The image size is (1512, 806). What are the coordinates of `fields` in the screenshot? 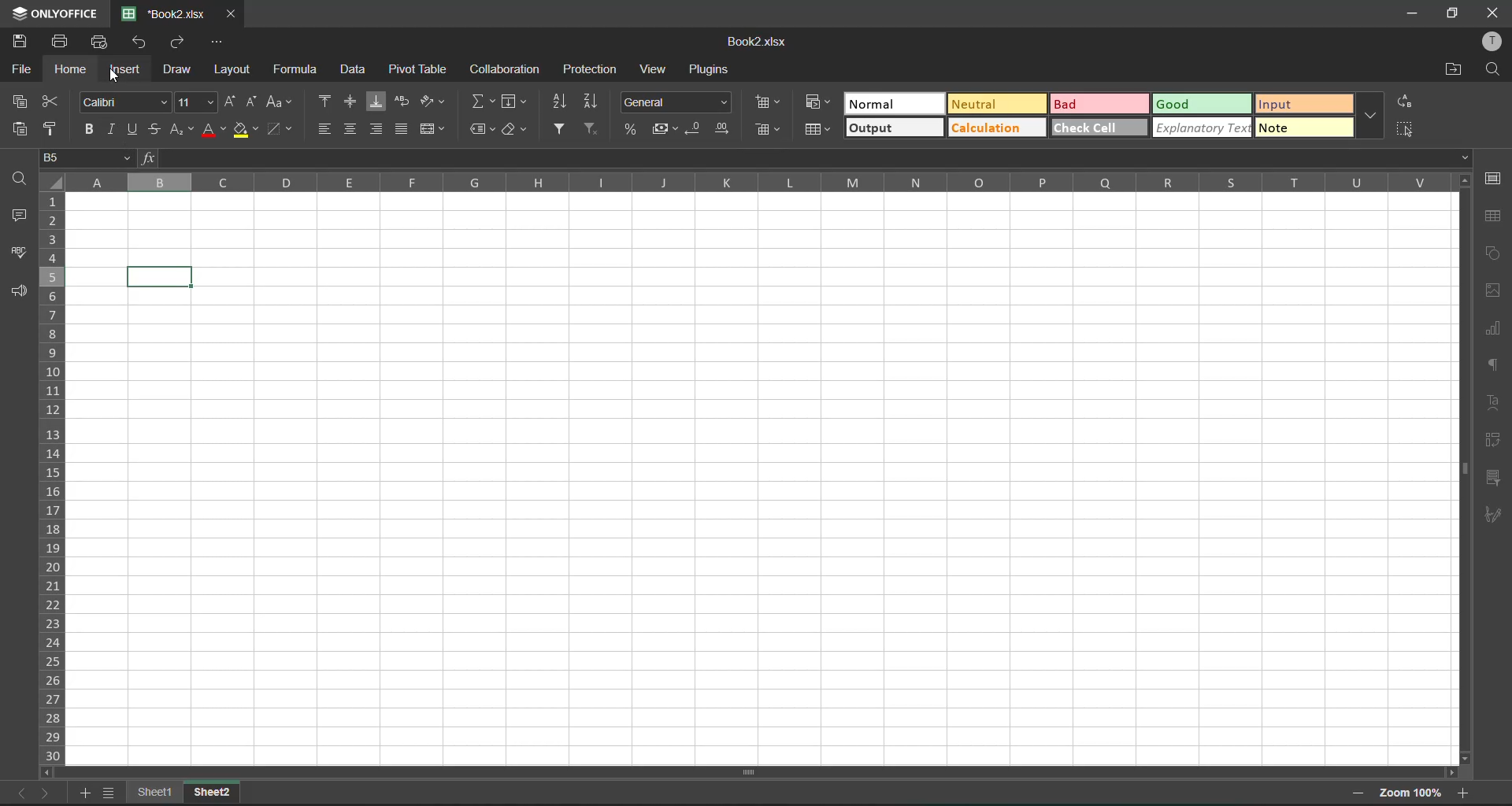 It's located at (516, 102).